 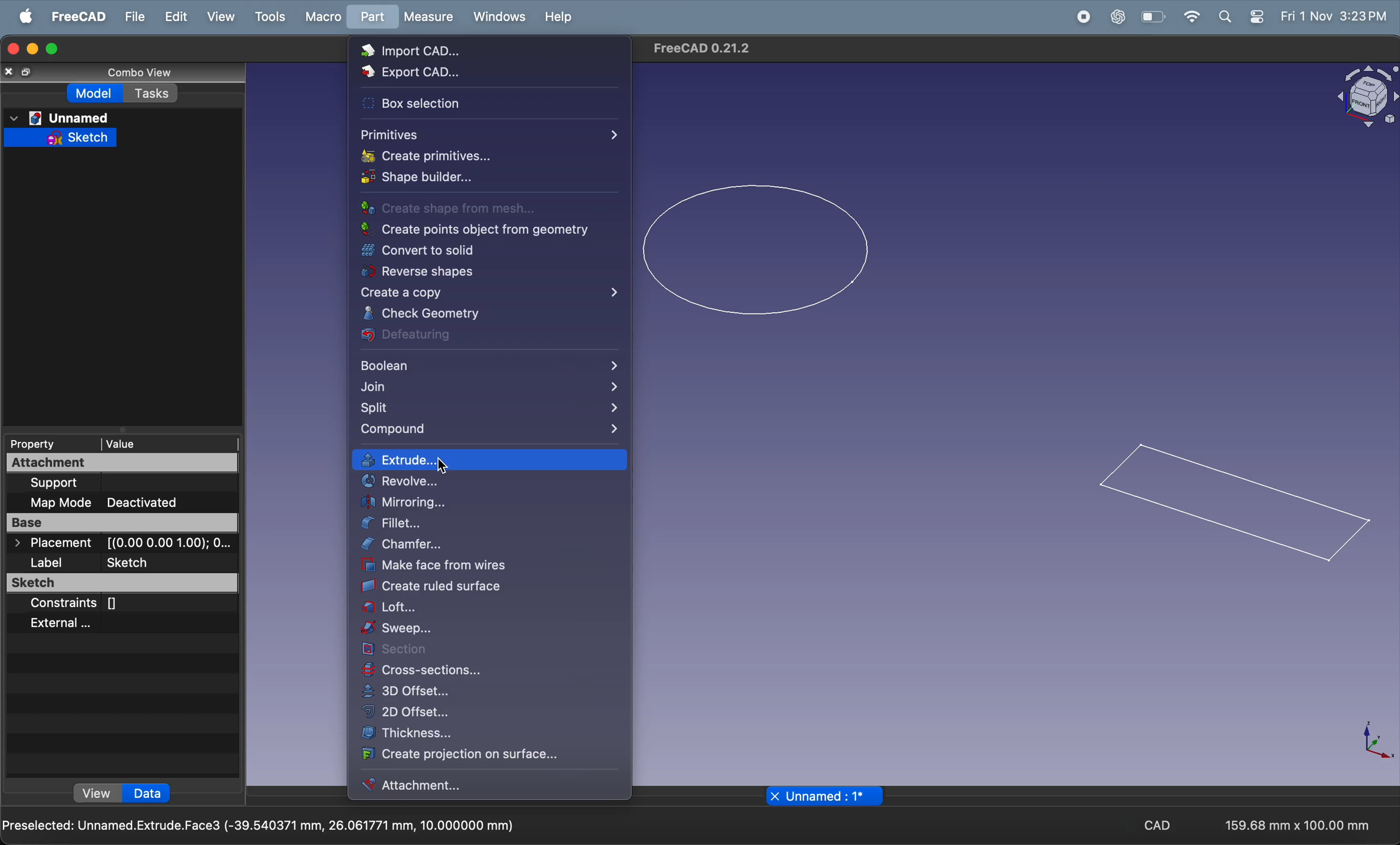 I want to click on Preselected: Unnamed.Extrude.Face3 (-39.540371 mm, 26.061771 mm, 10.000000 mm), so click(x=261, y=827).